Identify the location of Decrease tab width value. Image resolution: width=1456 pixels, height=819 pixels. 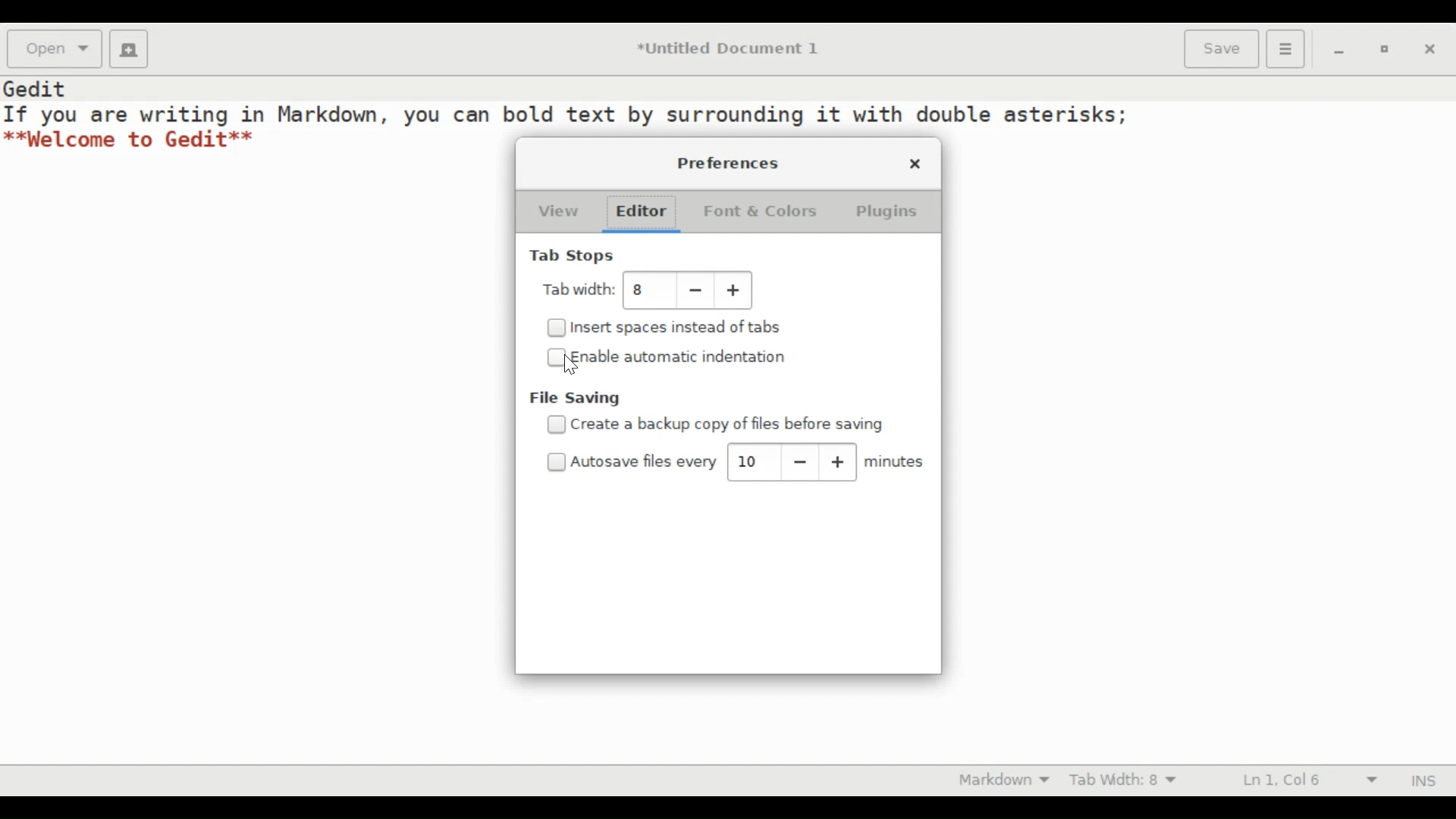
(695, 290).